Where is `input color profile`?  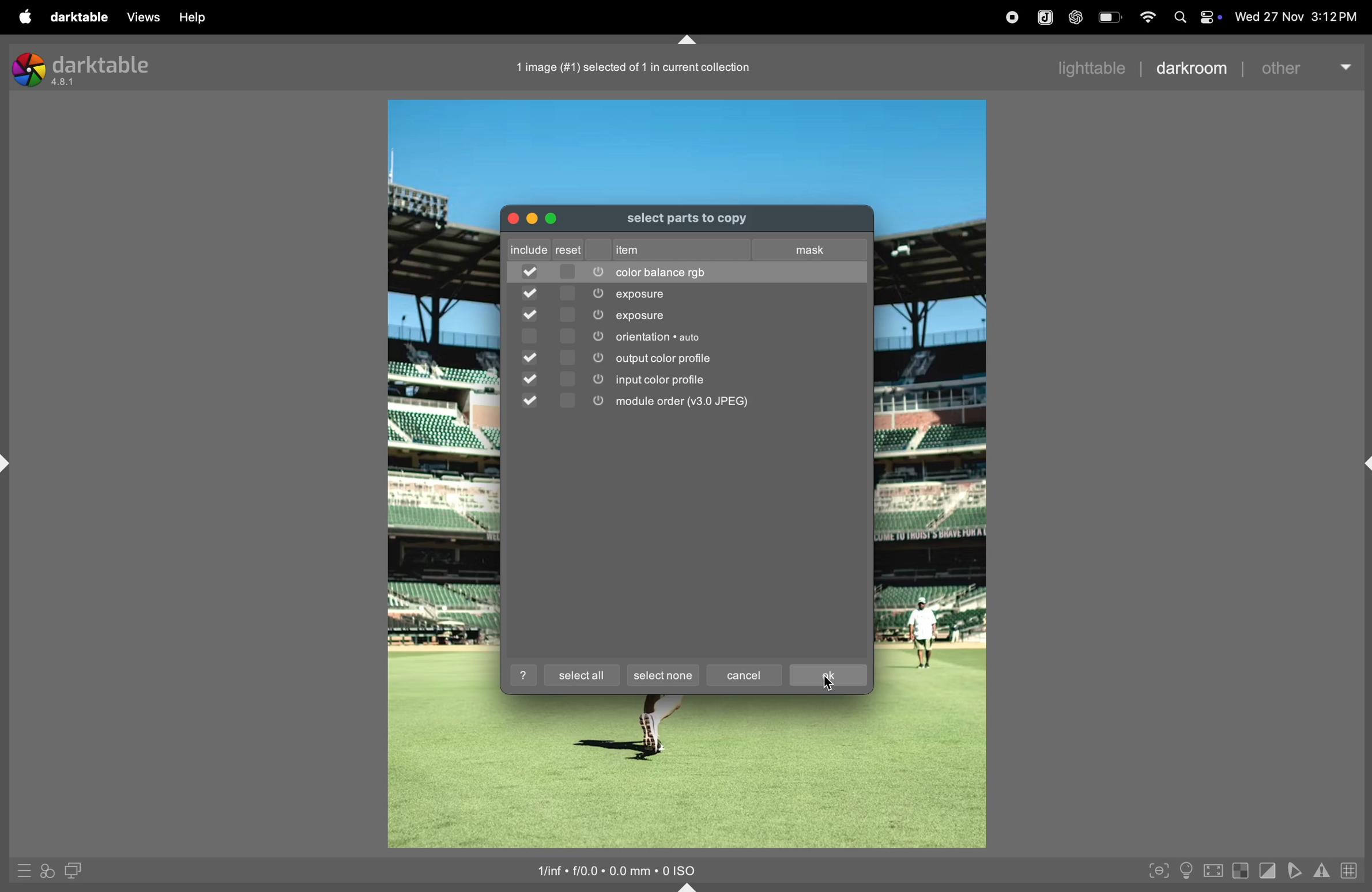 input color profile is located at coordinates (708, 380).